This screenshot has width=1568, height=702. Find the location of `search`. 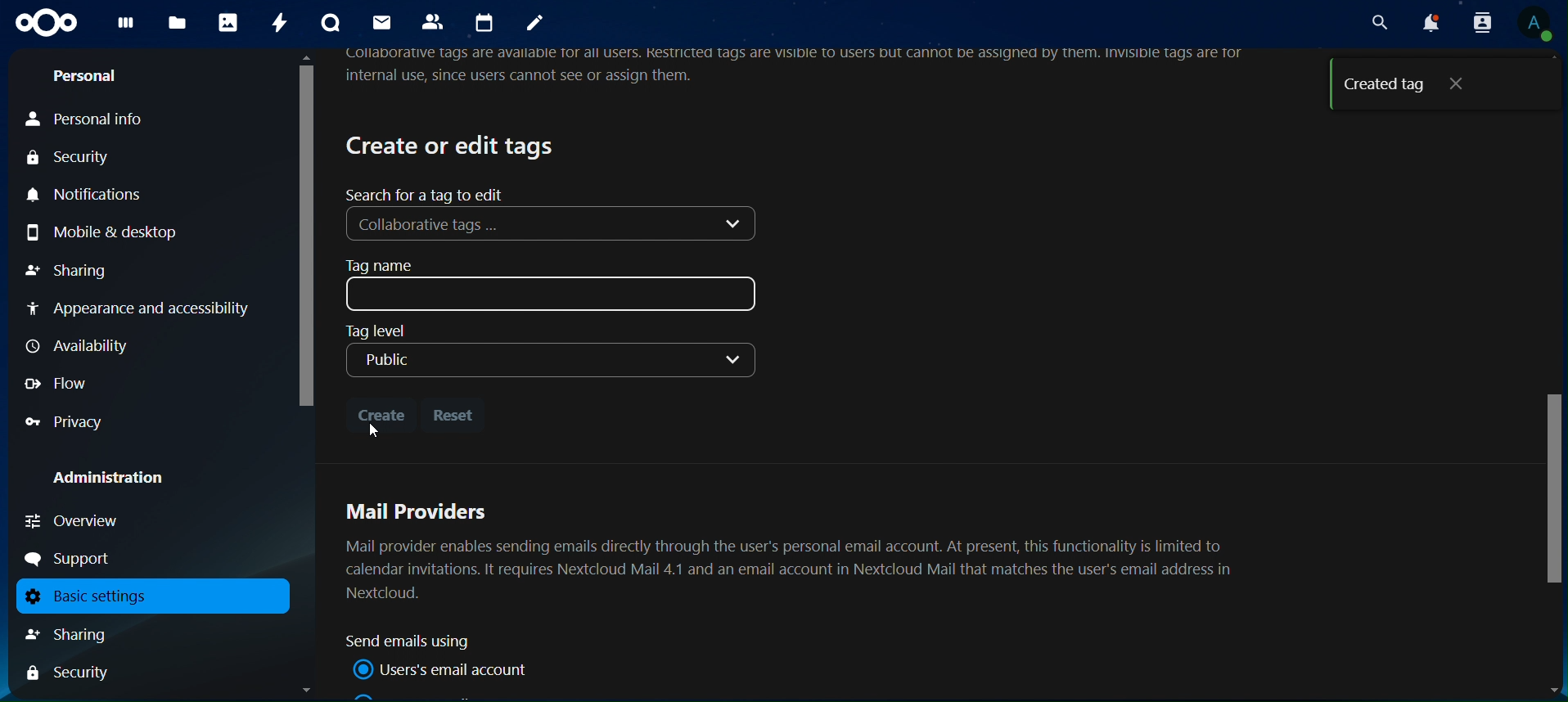

search is located at coordinates (1377, 22).